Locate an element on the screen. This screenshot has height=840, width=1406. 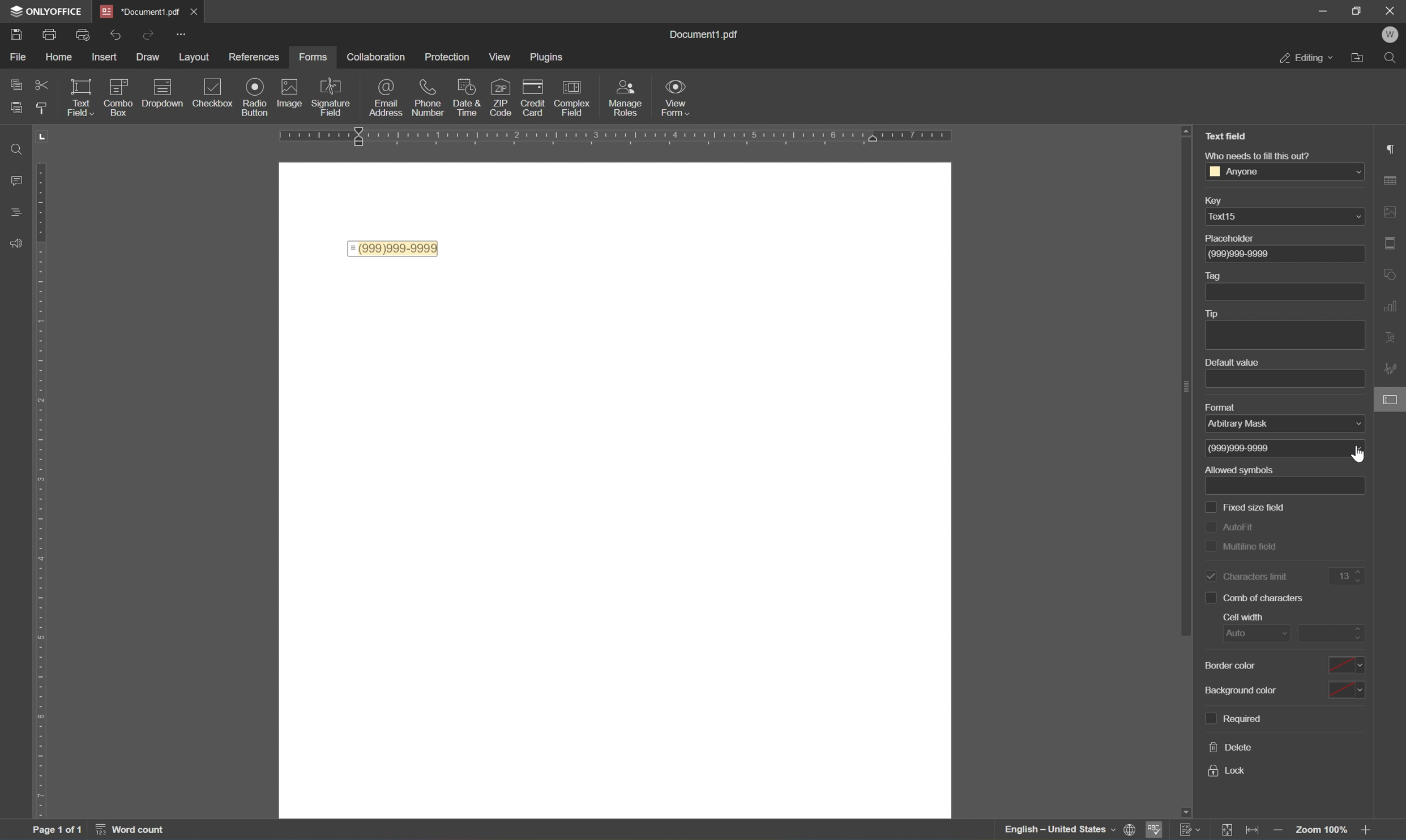
format is located at coordinates (1229, 408).